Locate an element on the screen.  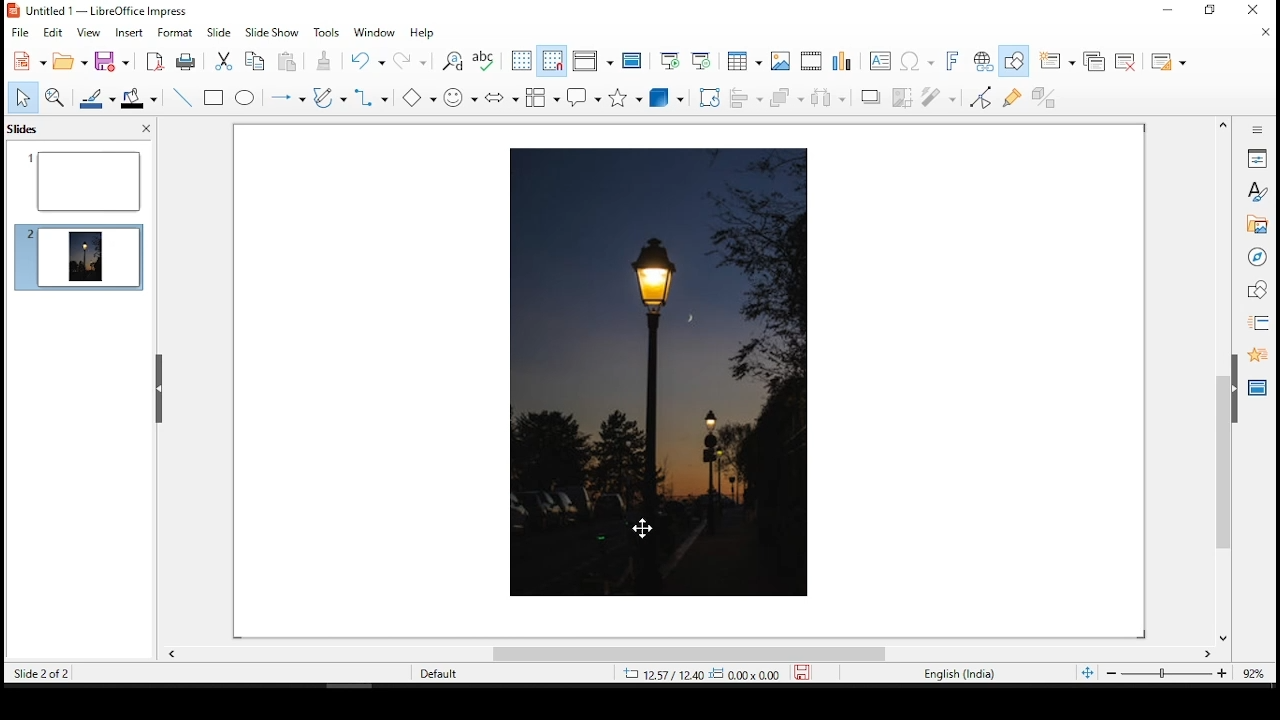
zoom and pan is located at coordinates (58, 99).